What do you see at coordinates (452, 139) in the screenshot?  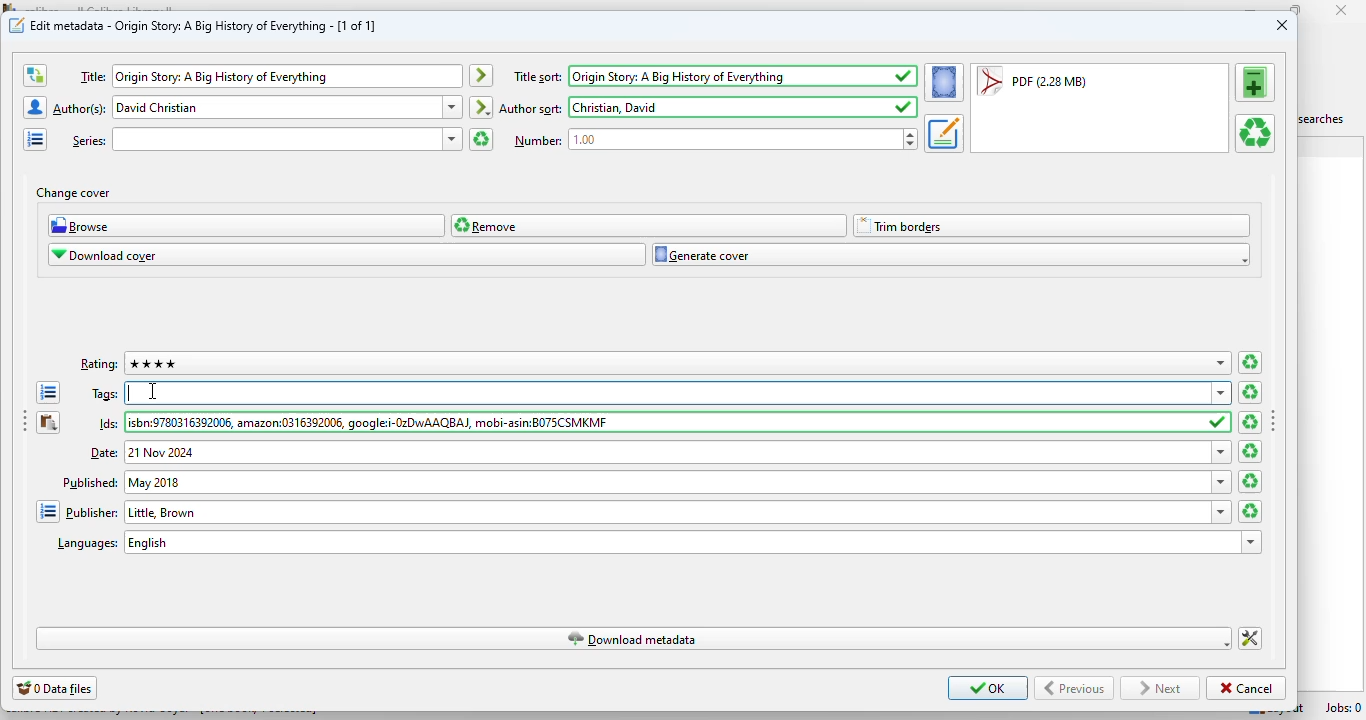 I see `dropdown` at bounding box center [452, 139].